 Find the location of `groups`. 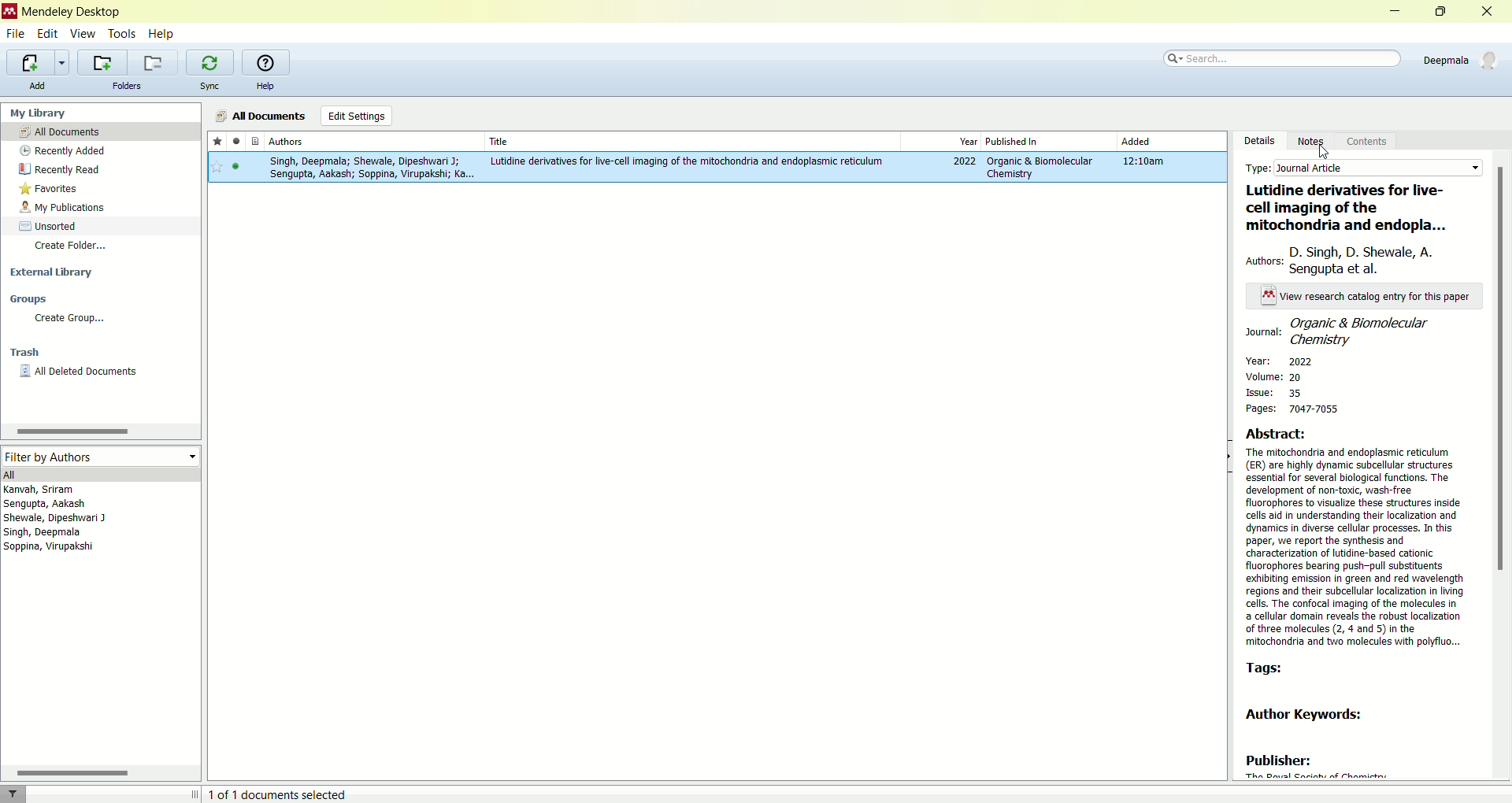

groups is located at coordinates (98, 299).